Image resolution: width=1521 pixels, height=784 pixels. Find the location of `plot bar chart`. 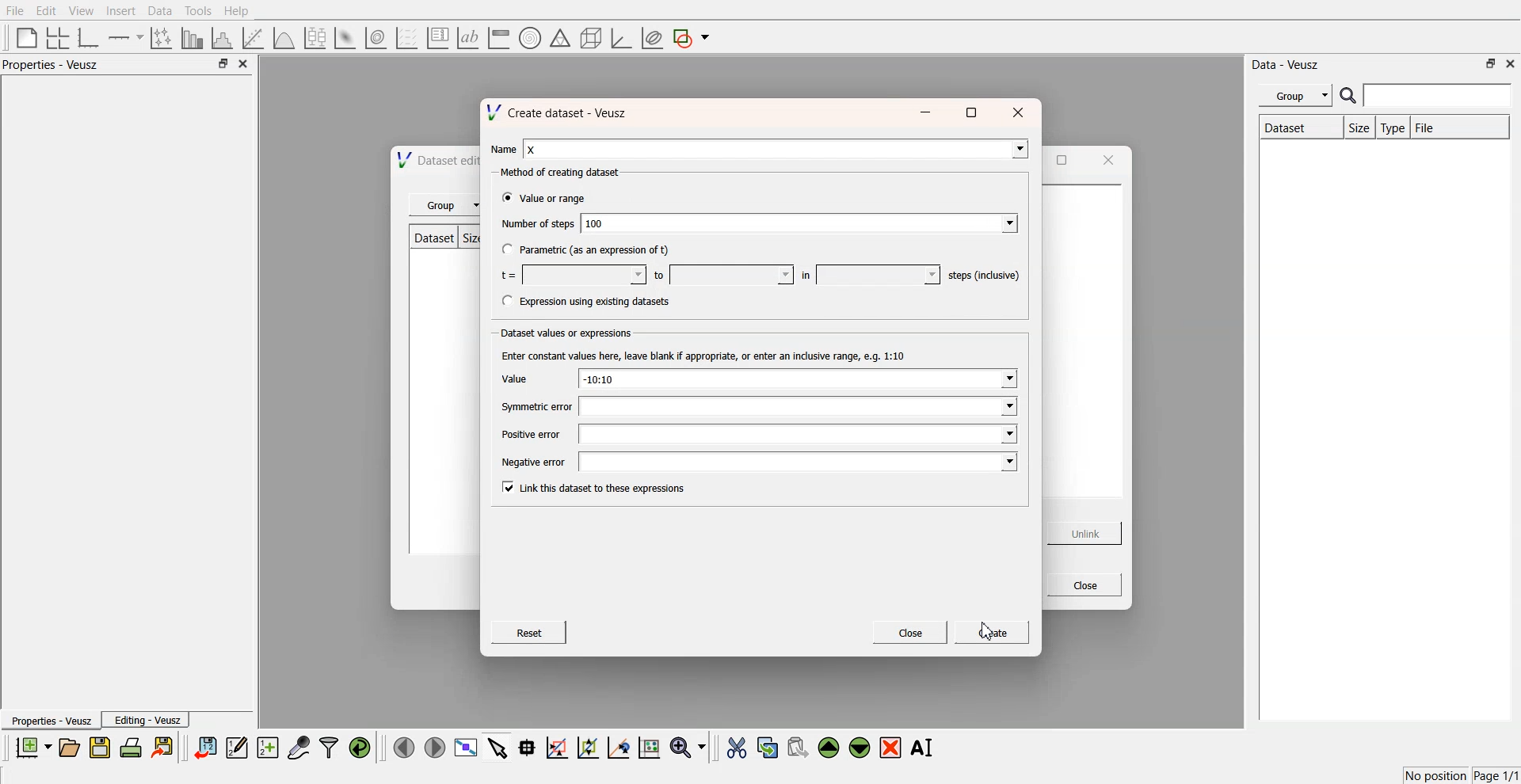

plot bar chart is located at coordinates (192, 39).